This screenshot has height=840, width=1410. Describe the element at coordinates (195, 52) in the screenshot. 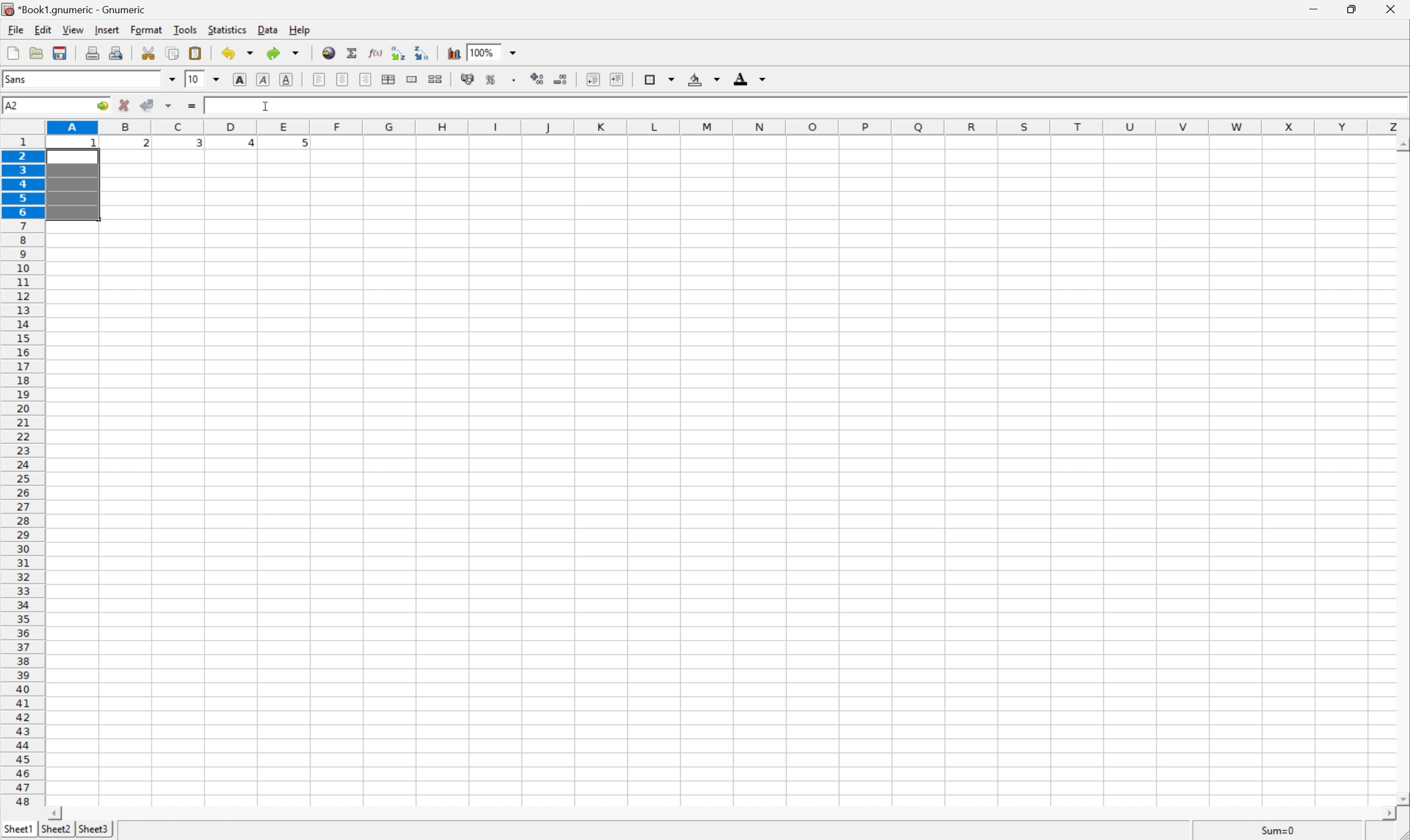

I see `paste` at that location.